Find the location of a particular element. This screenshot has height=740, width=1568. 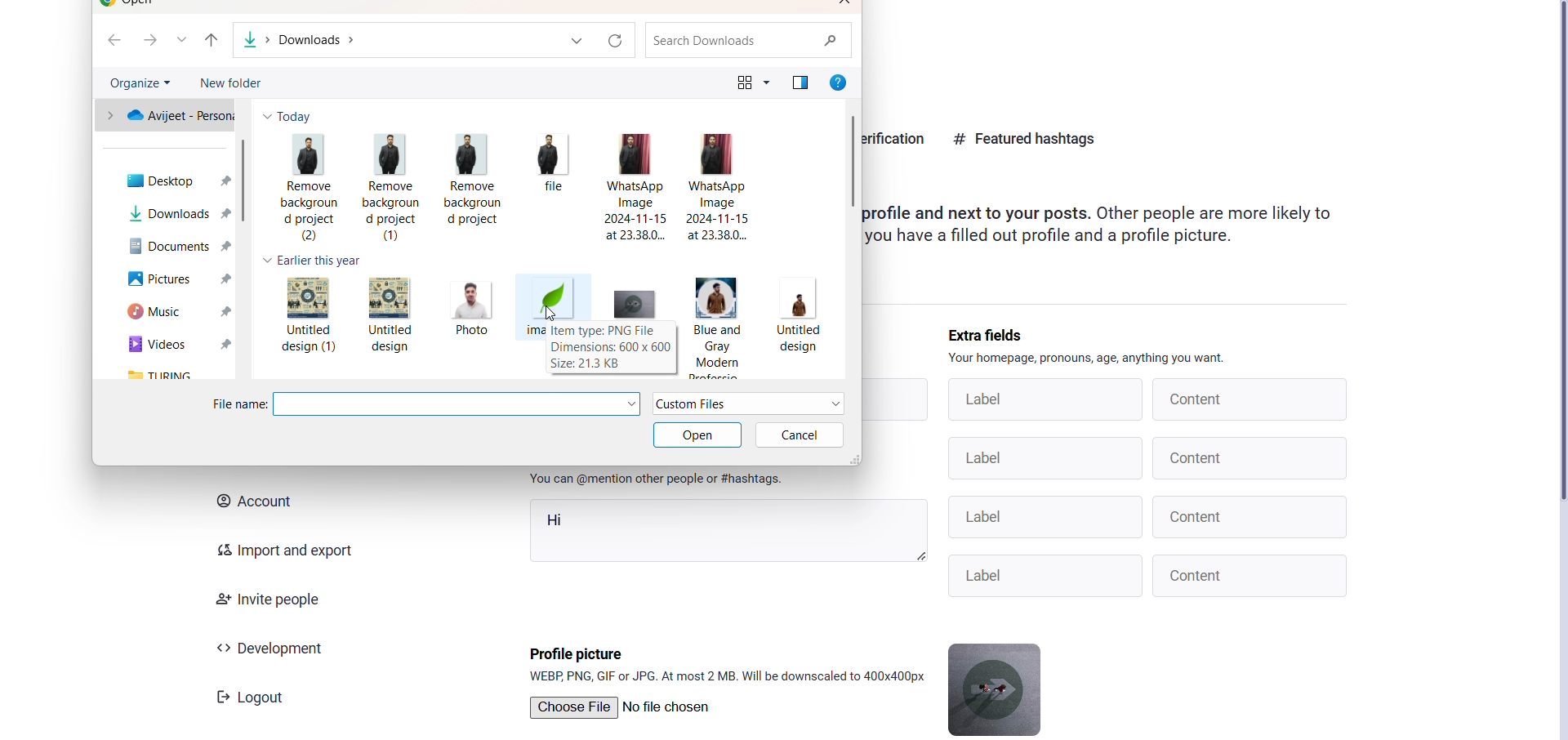

Choose File | No file chosen is located at coordinates (621, 707).